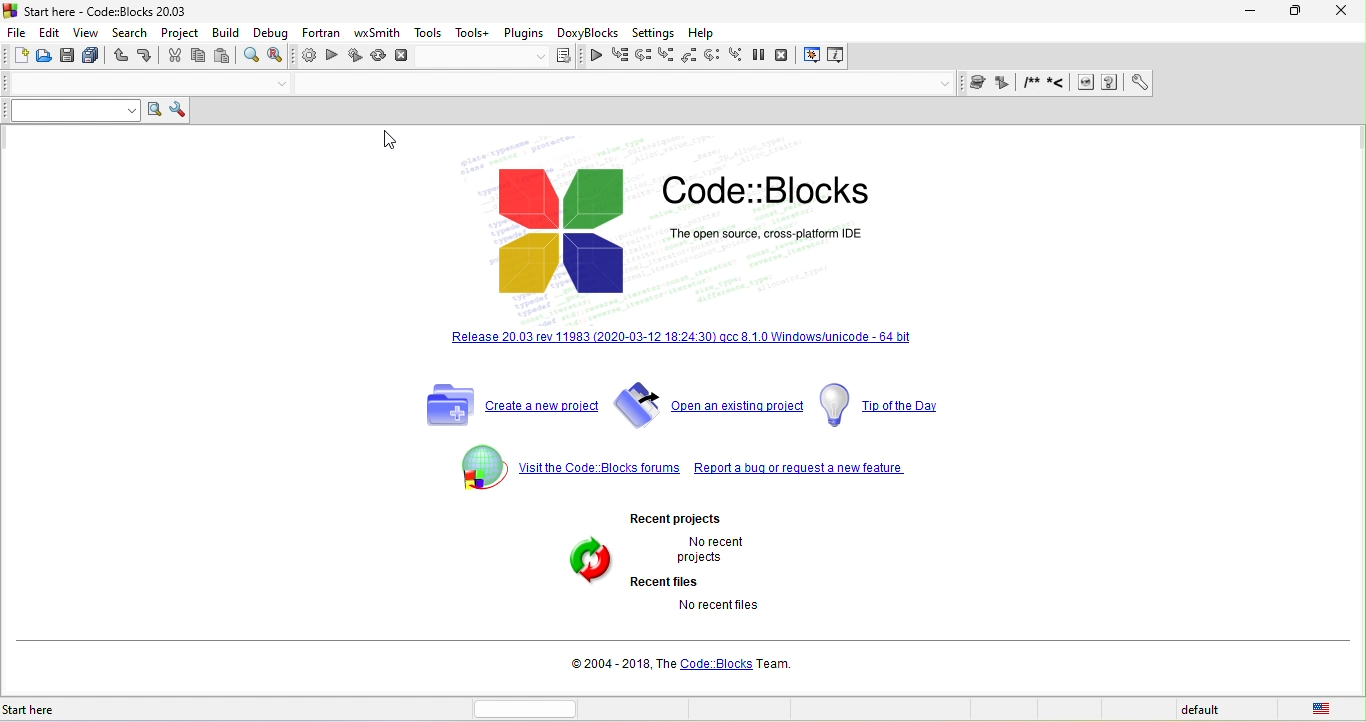 This screenshot has width=1366, height=722. What do you see at coordinates (171, 56) in the screenshot?
I see `cut` at bounding box center [171, 56].